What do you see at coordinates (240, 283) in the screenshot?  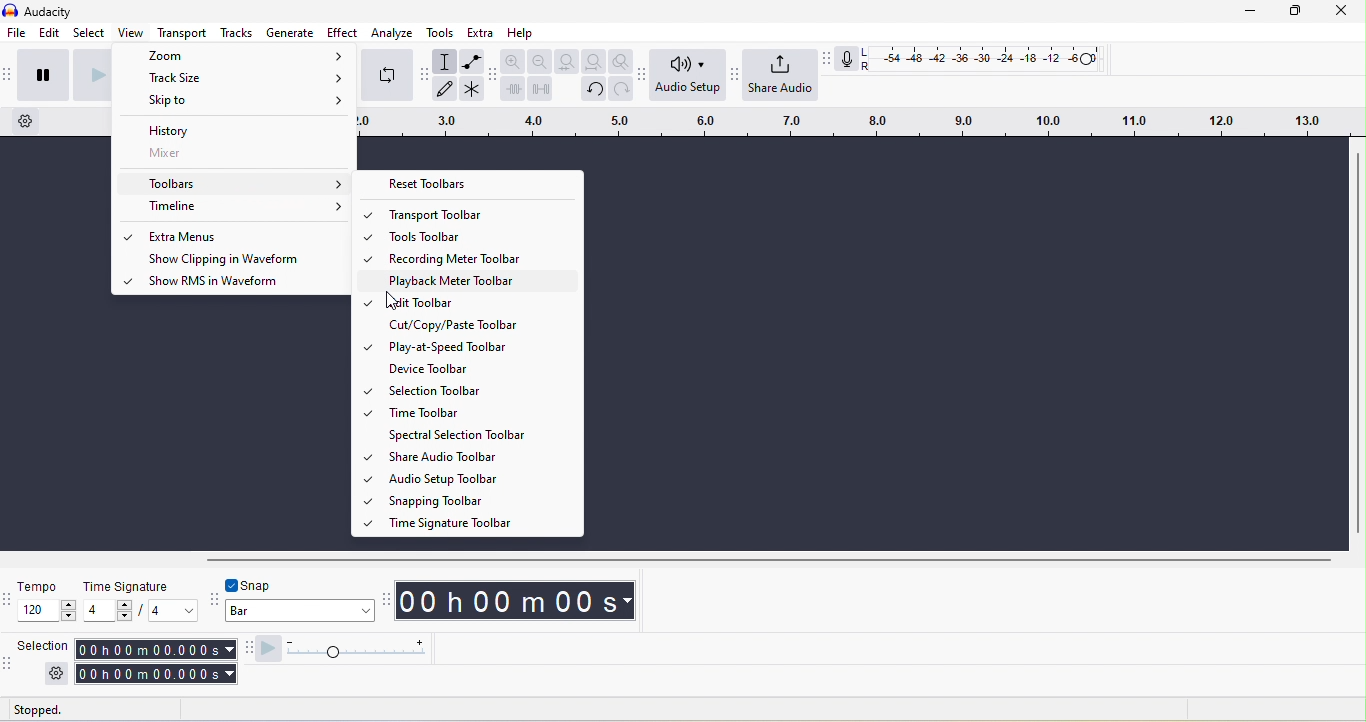 I see `show RMS in waveform` at bounding box center [240, 283].